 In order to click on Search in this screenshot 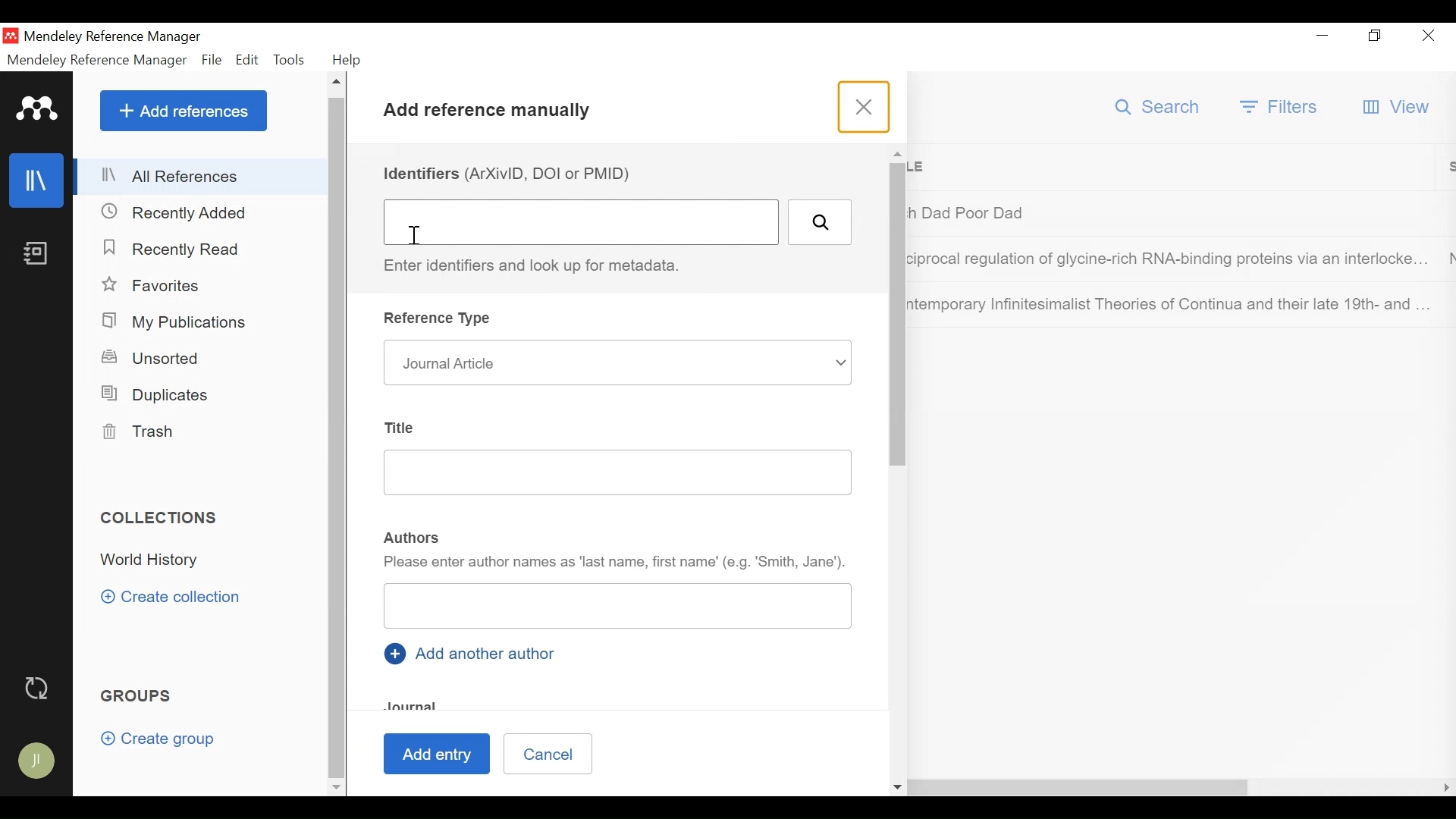, I will do `click(1157, 107)`.